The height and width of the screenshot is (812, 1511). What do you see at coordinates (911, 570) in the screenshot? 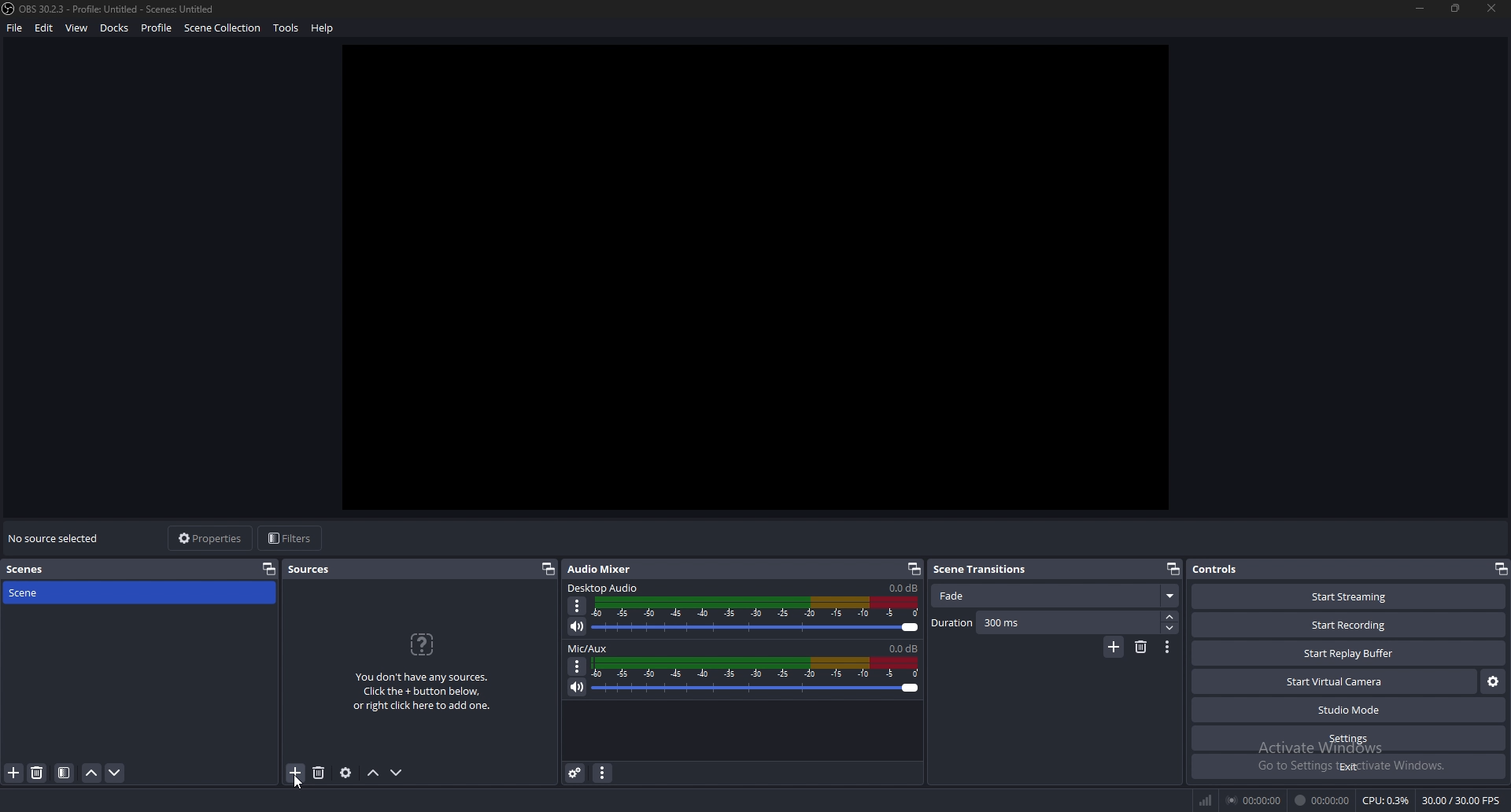
I see `pop out` at bounding box center [911, 570].